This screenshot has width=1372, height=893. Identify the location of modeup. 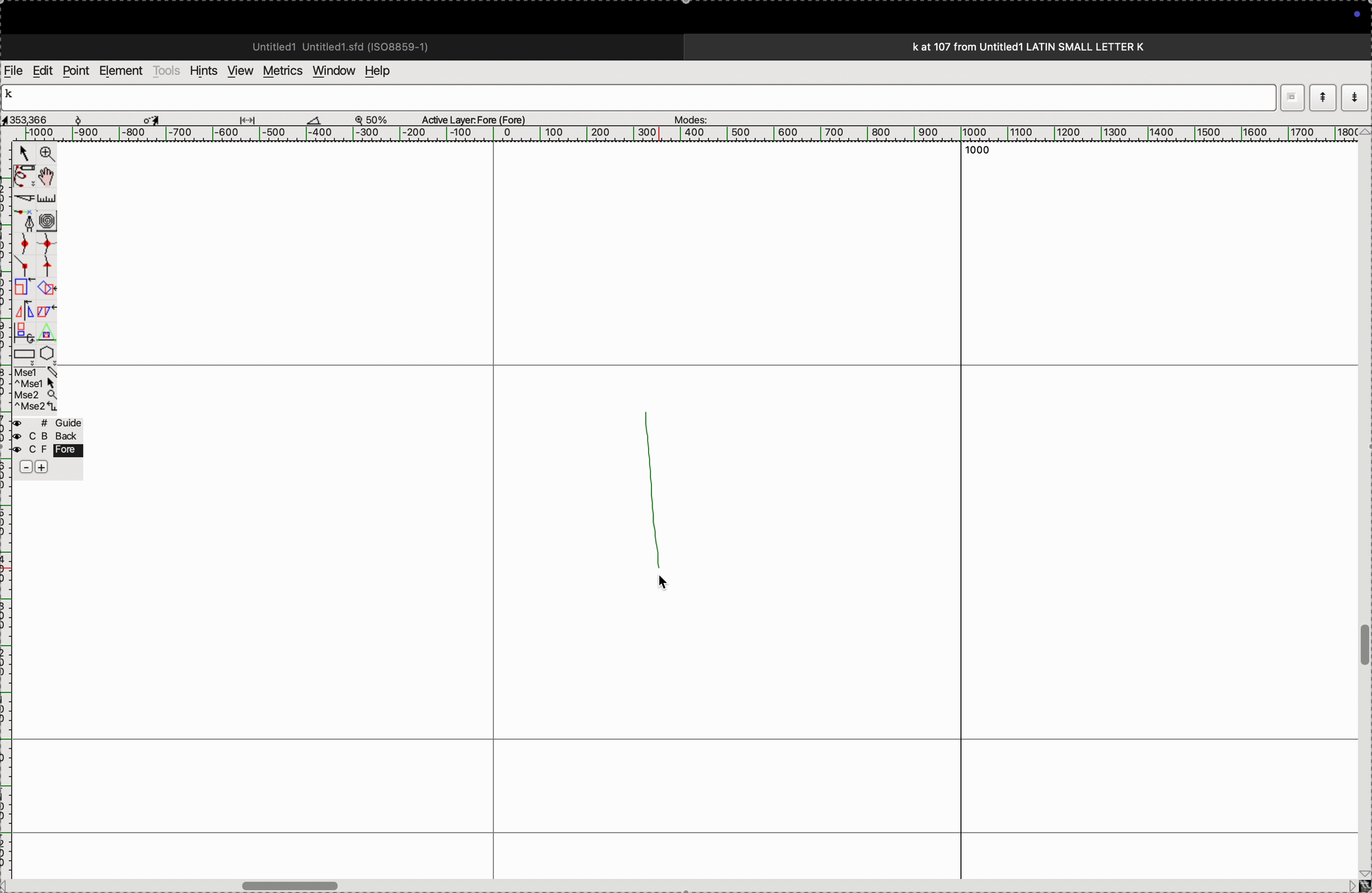
(1322, 97).